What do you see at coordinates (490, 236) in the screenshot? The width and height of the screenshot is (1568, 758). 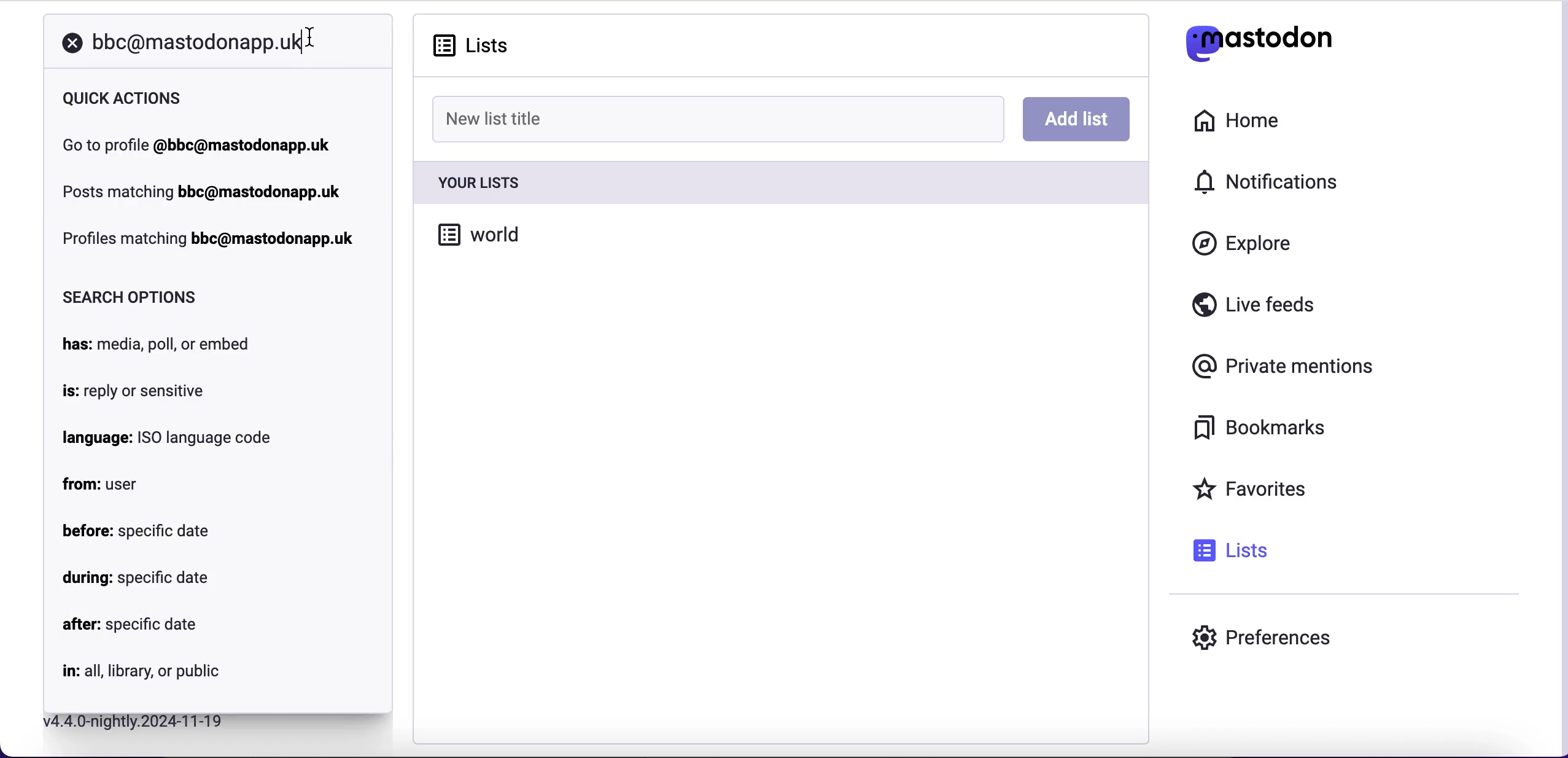 I see `world` at bounding box center [490, 236].